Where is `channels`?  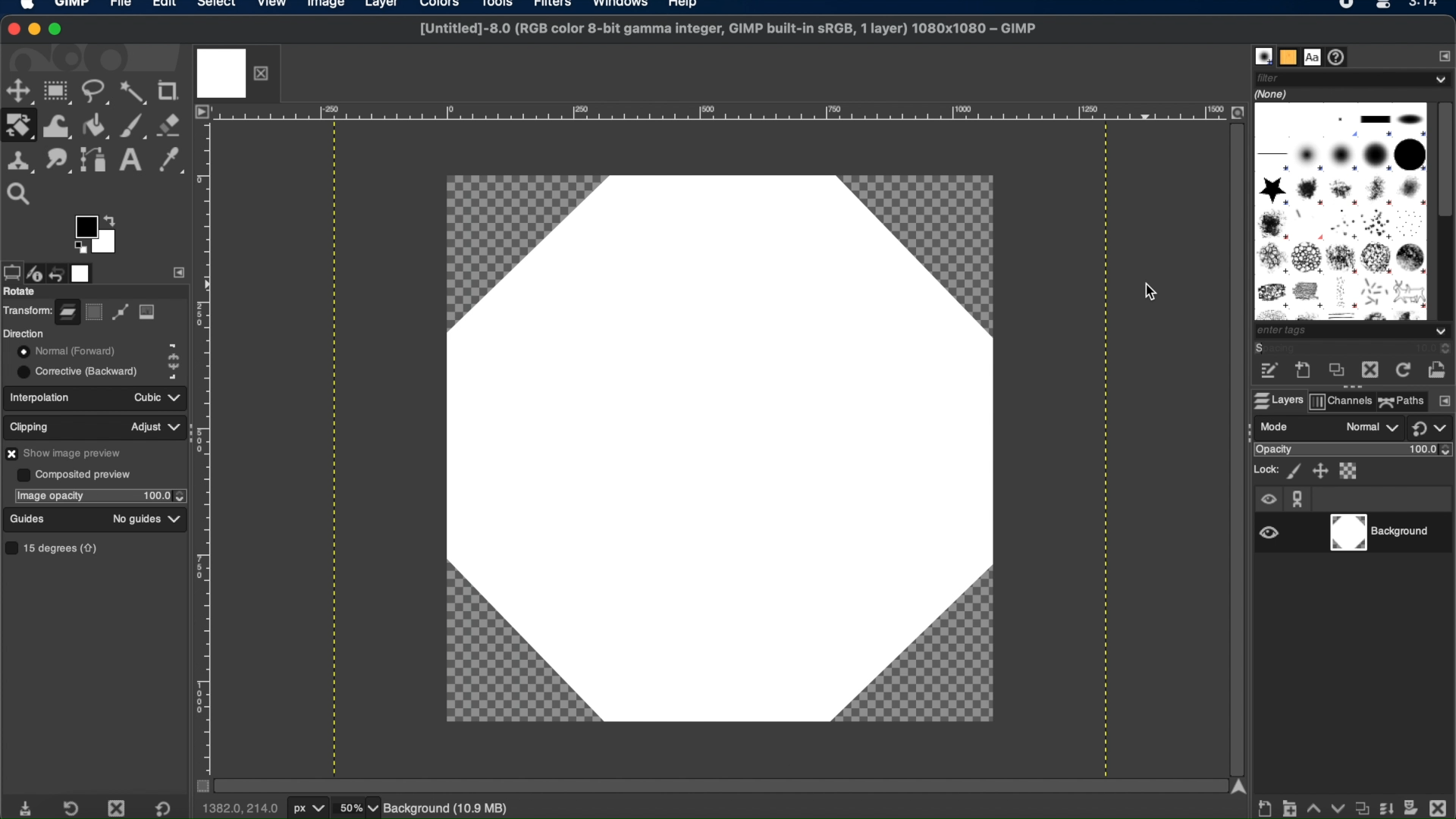
channels is located at coordinates (1341, 403).